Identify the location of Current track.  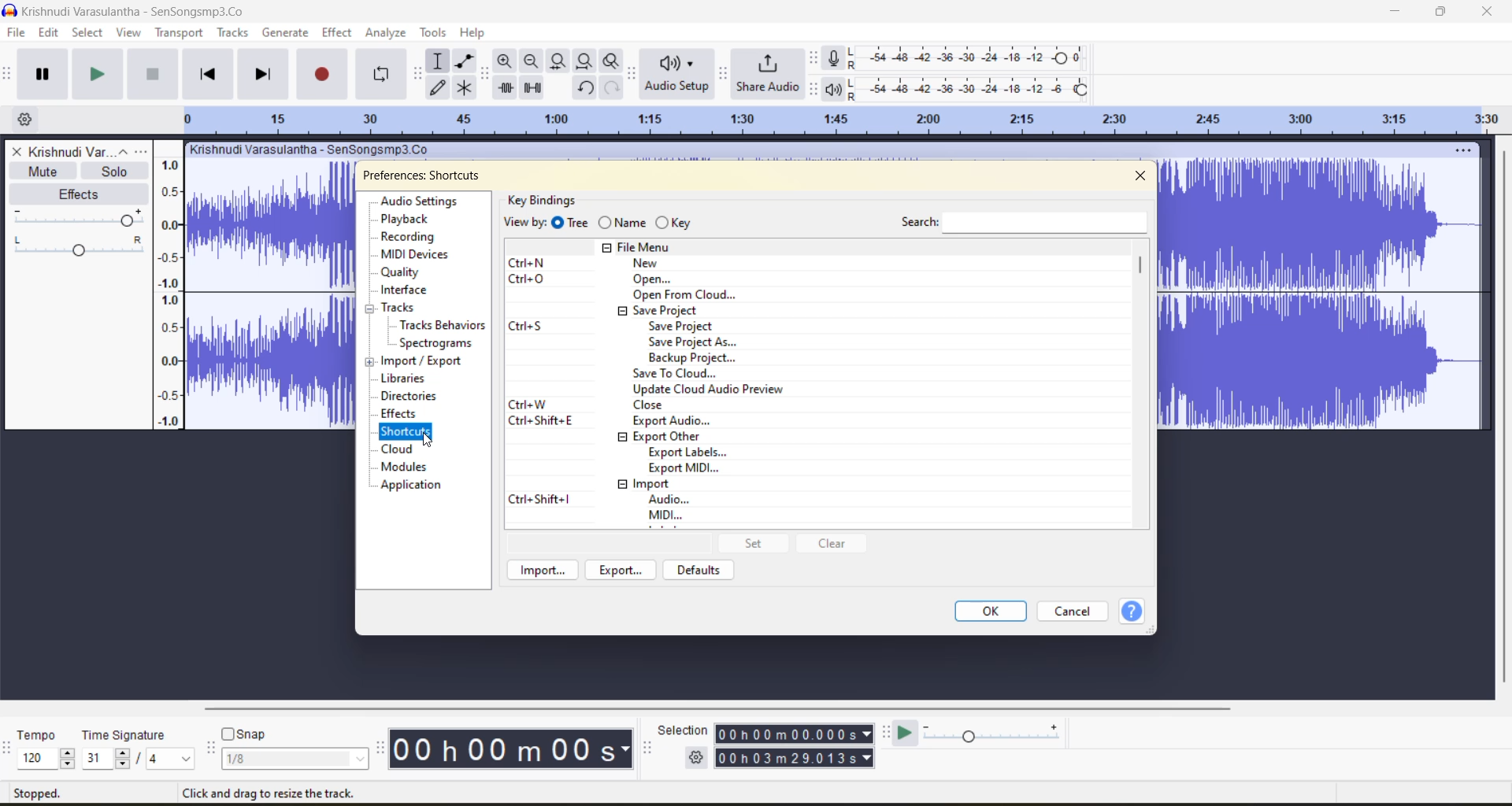
(1320, 293).